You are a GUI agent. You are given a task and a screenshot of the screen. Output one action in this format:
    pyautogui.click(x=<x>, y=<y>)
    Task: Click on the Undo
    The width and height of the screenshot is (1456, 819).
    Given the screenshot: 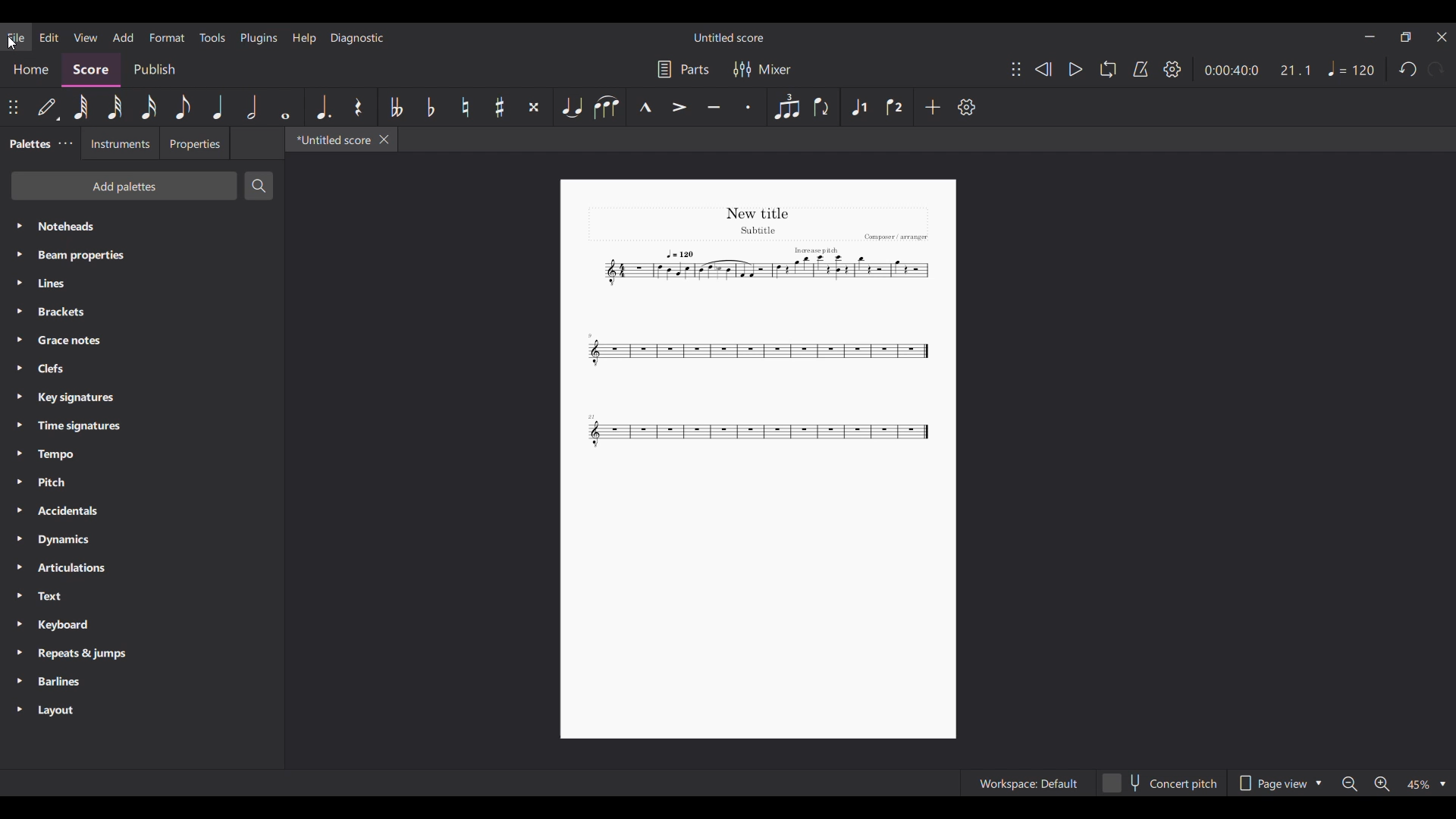 What is the action you would take?
    pyautogui.click(x=1407, y=69)
    